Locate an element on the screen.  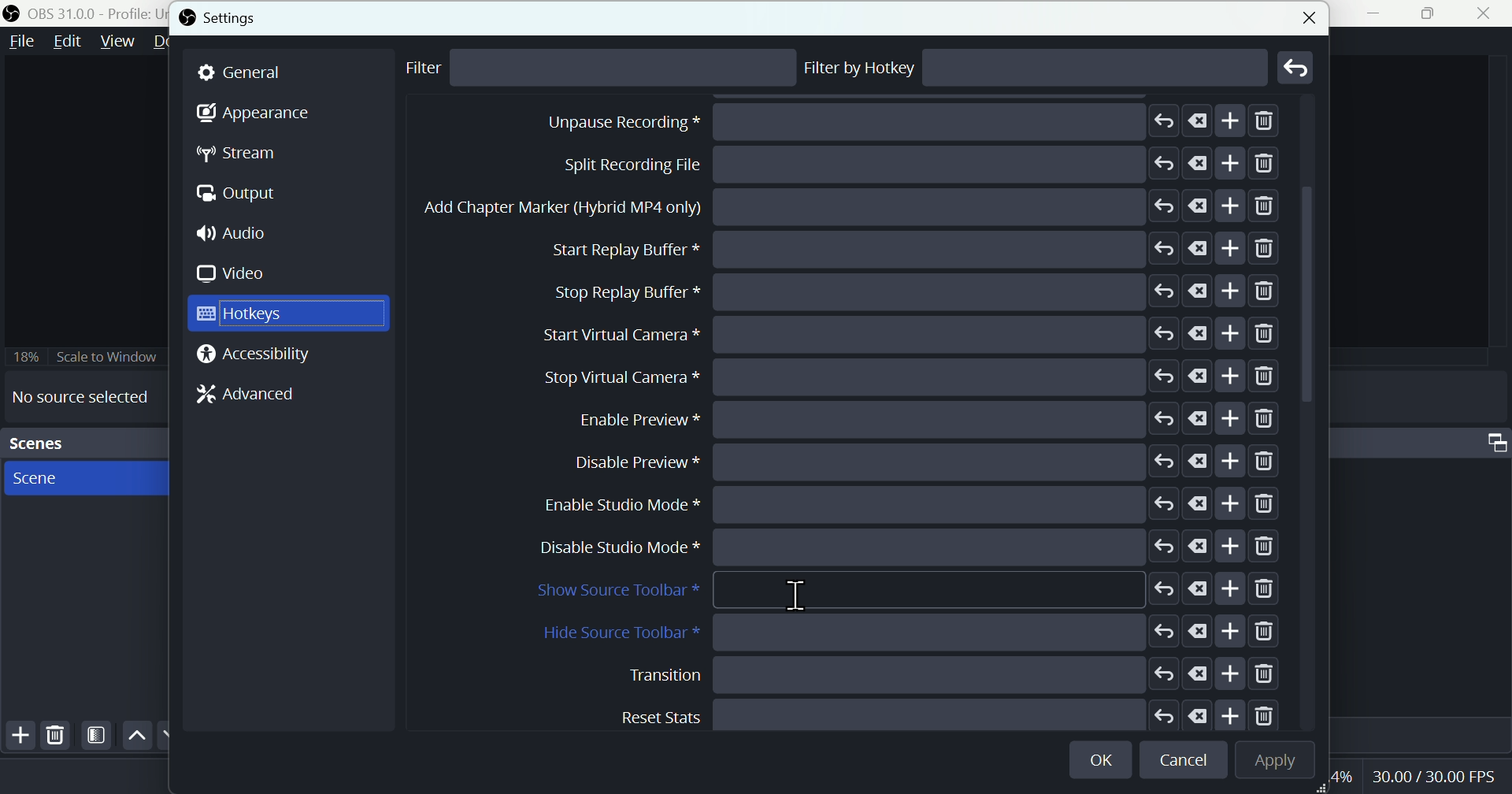
OK is located at coordinates (1103, 757).